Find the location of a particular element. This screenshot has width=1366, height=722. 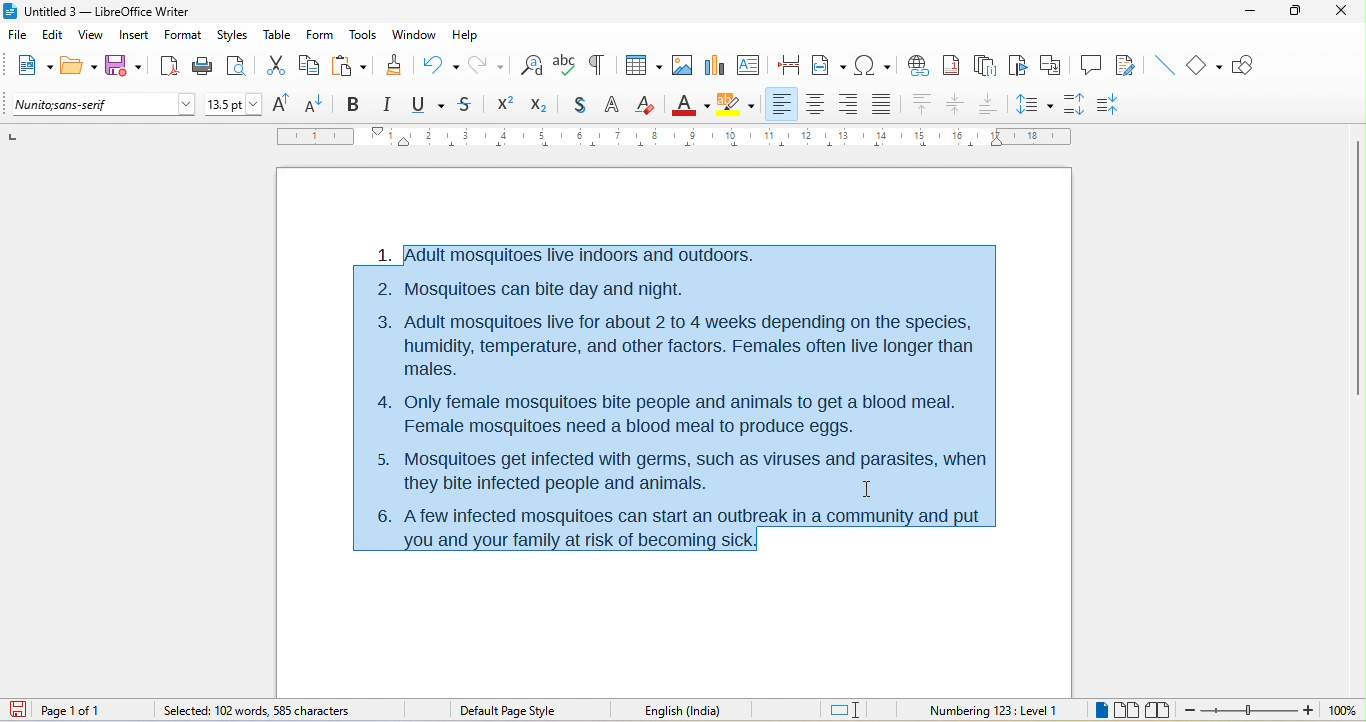

view is located at coordinates (94, 36).